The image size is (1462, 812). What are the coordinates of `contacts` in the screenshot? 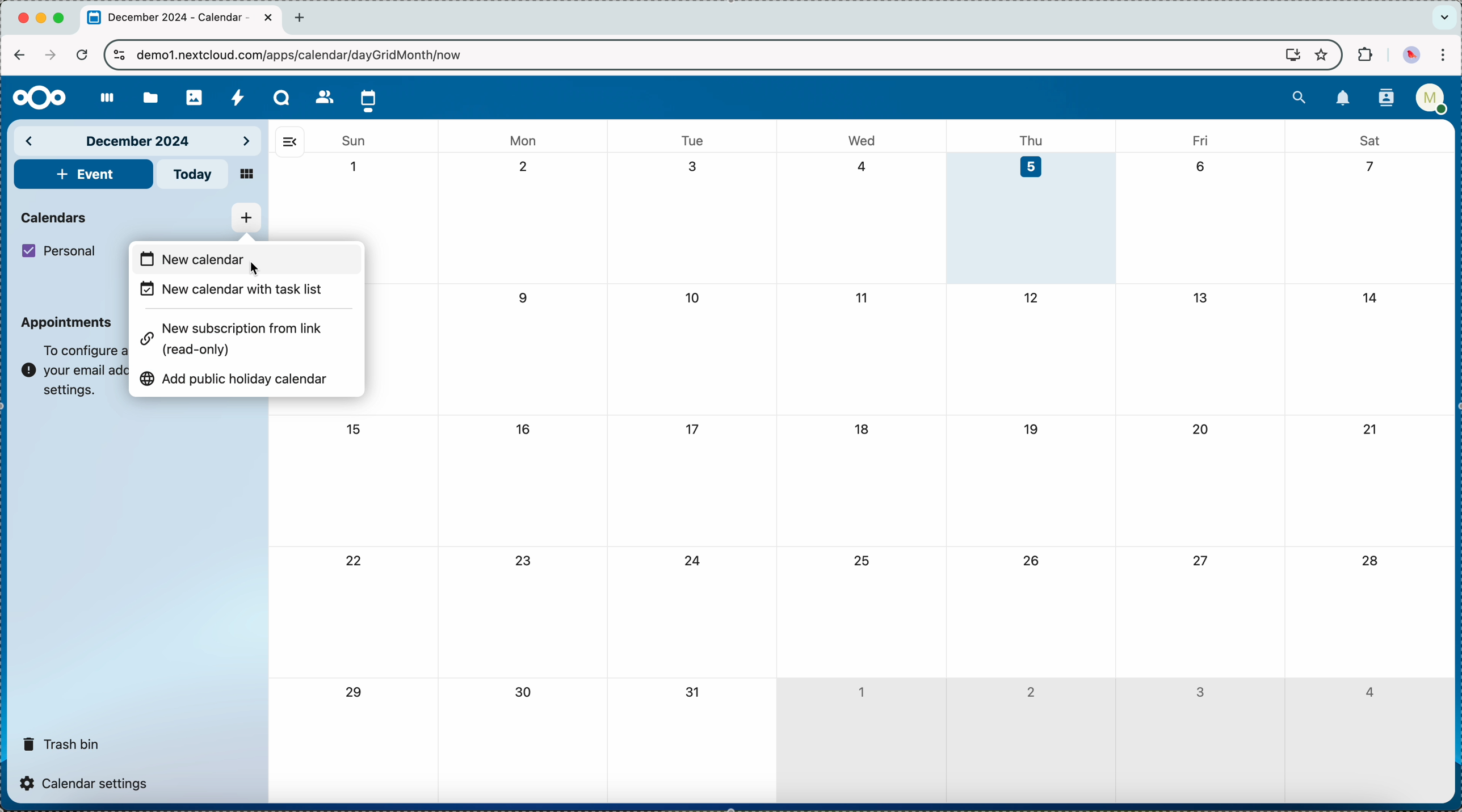 It's located at (1383, 99).